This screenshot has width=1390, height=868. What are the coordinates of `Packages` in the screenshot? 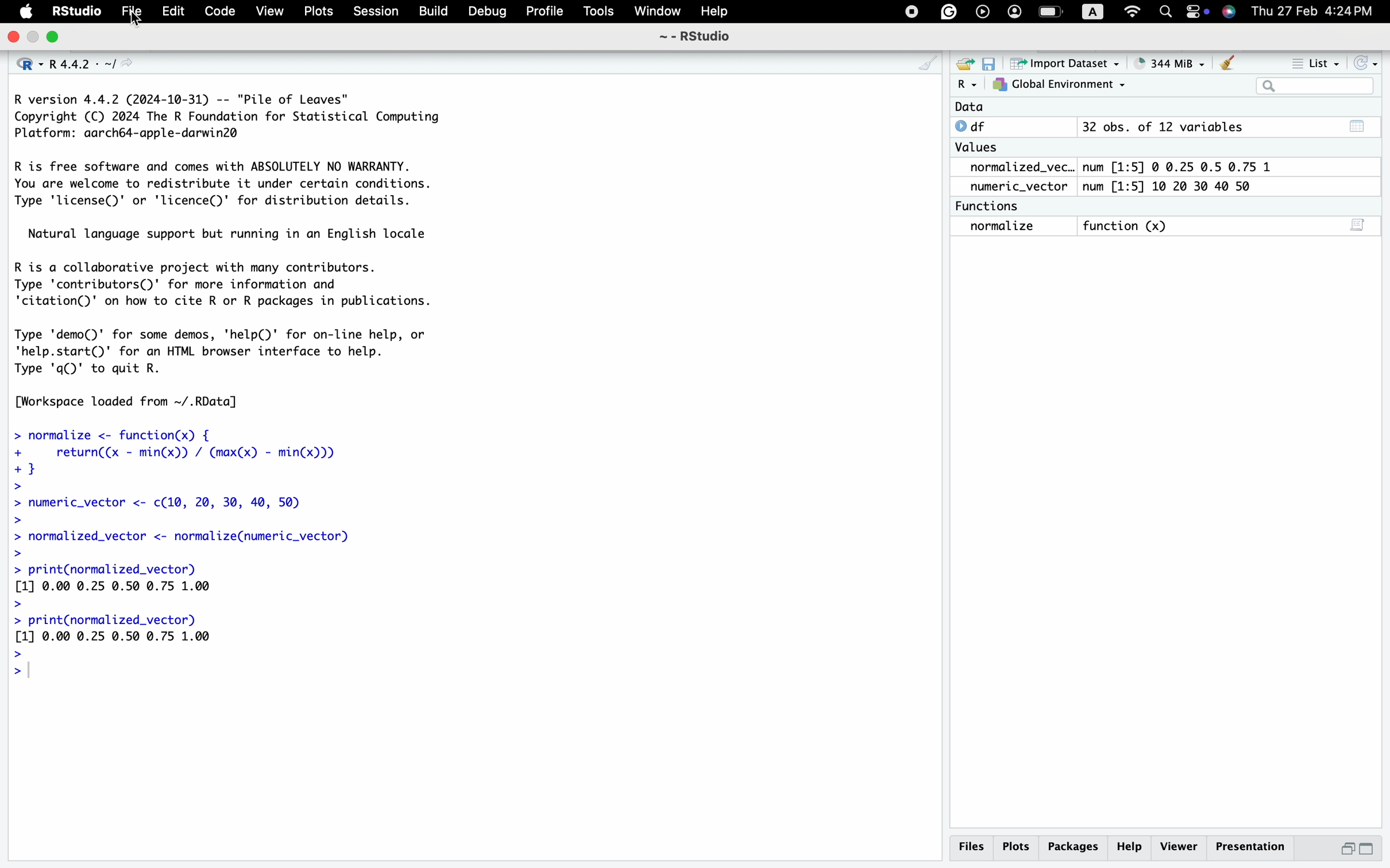 It's located at (1074, 849).